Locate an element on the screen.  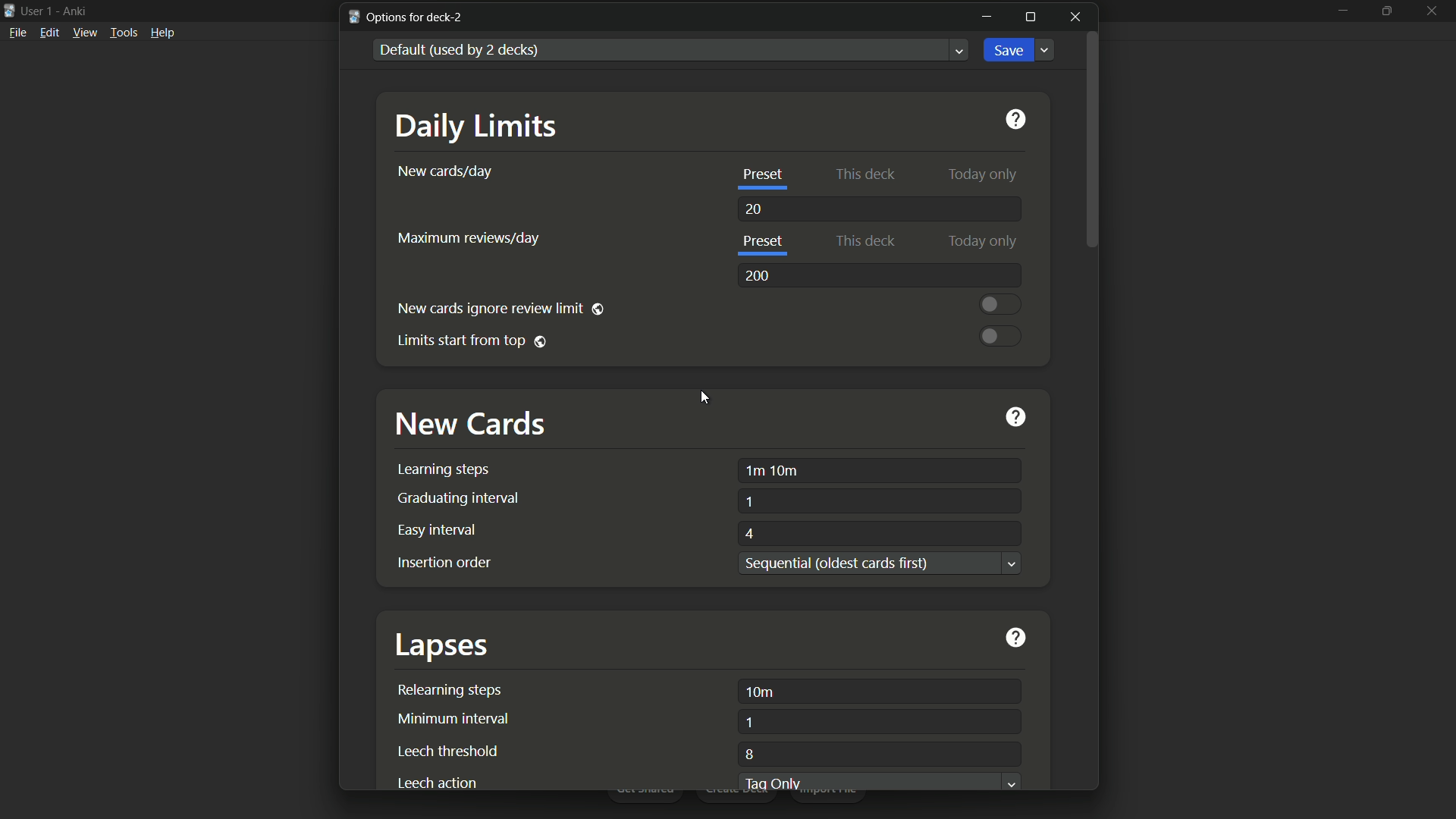
Dropdown is located at coordinates (1013, 562).